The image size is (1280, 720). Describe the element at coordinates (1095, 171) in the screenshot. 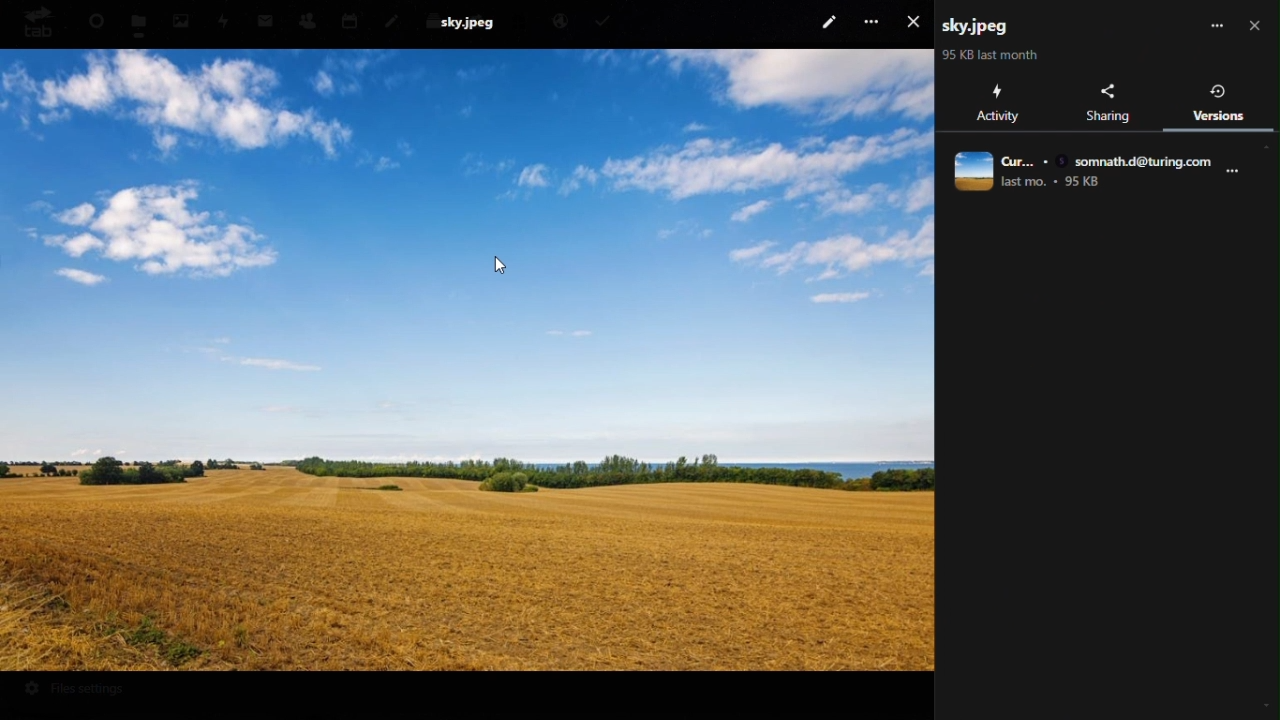

I see `File name and details` at that location.